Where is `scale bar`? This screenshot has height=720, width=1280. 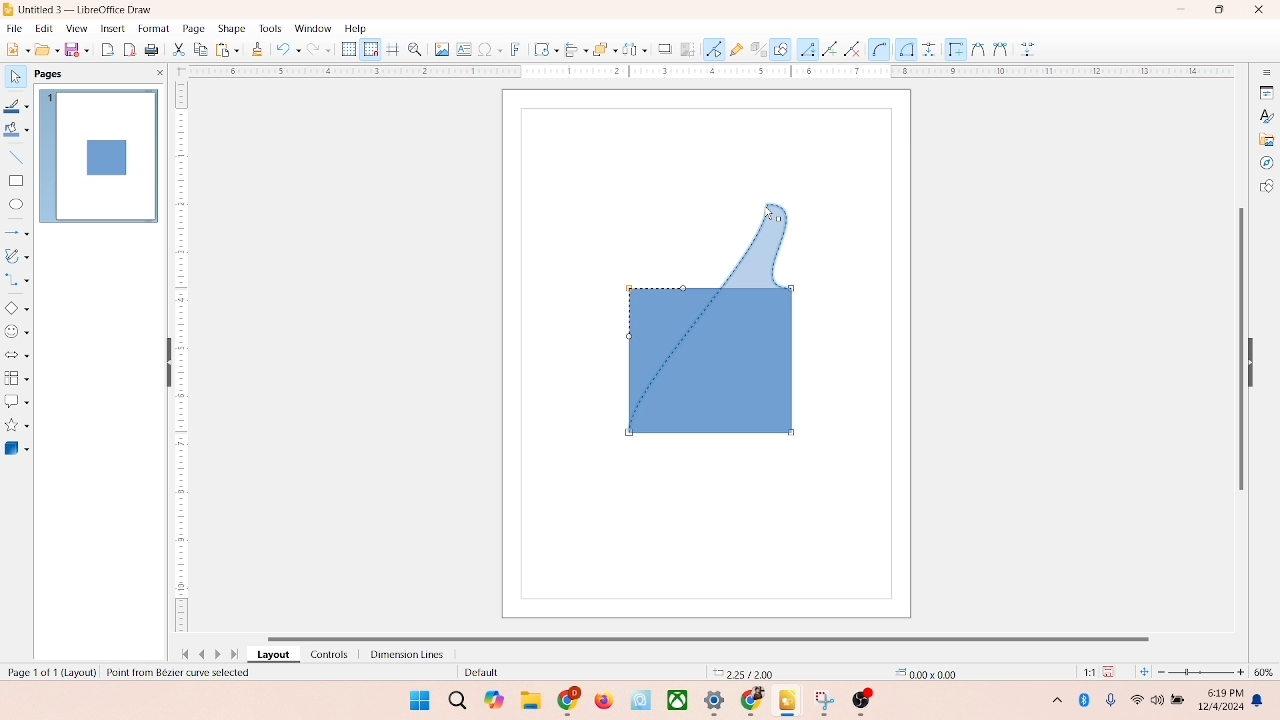
scale bar is located at coordinates (181, 360).